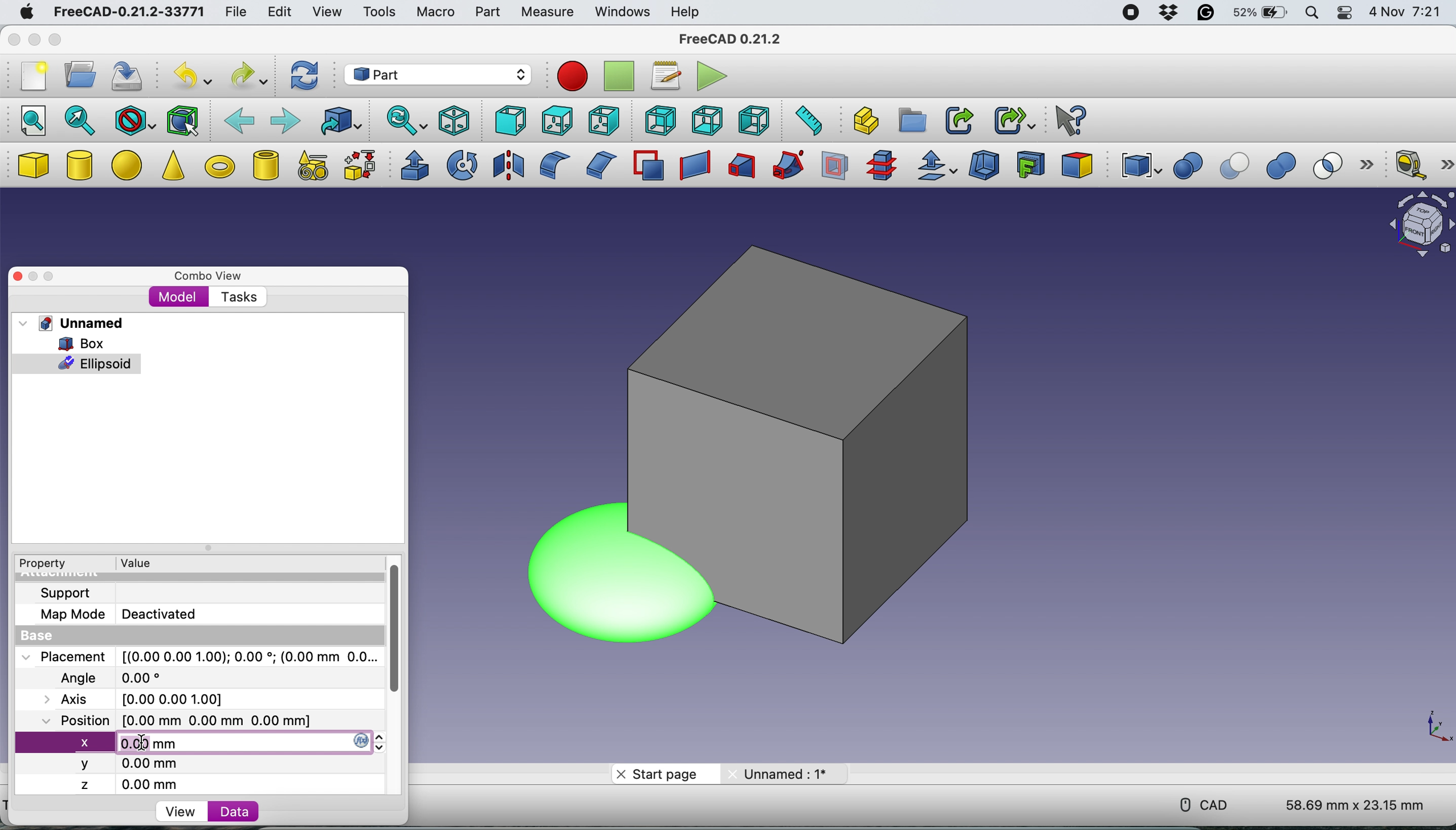  What do you see at coordinates (204, 272) in the screenshot?
I see `combo view` at bounding box center [204, 272].